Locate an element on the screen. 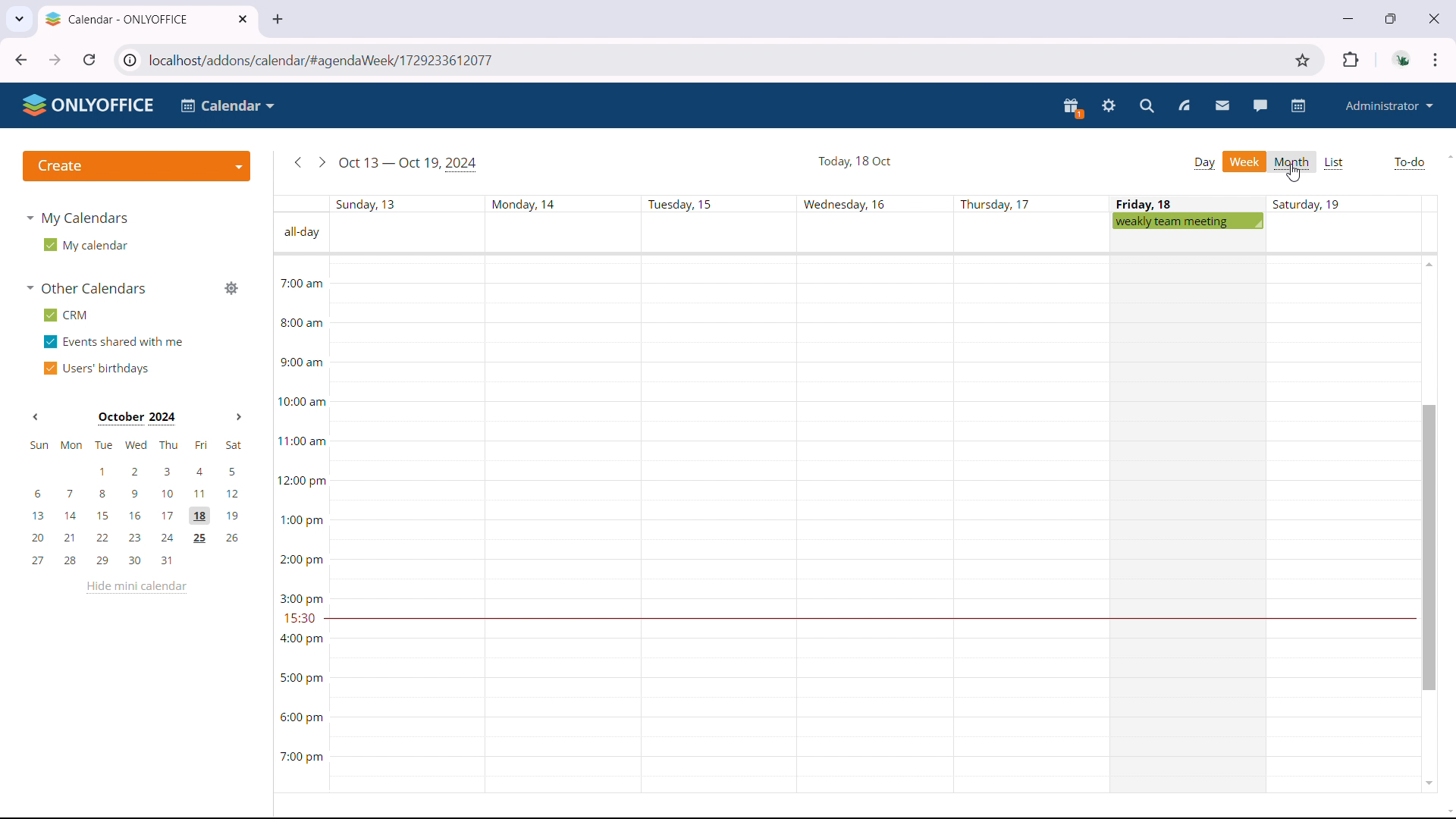 Image resolution: width=1456 pixels, height=819 pixels. scroll down in page is located at coordinates (1447, 813).